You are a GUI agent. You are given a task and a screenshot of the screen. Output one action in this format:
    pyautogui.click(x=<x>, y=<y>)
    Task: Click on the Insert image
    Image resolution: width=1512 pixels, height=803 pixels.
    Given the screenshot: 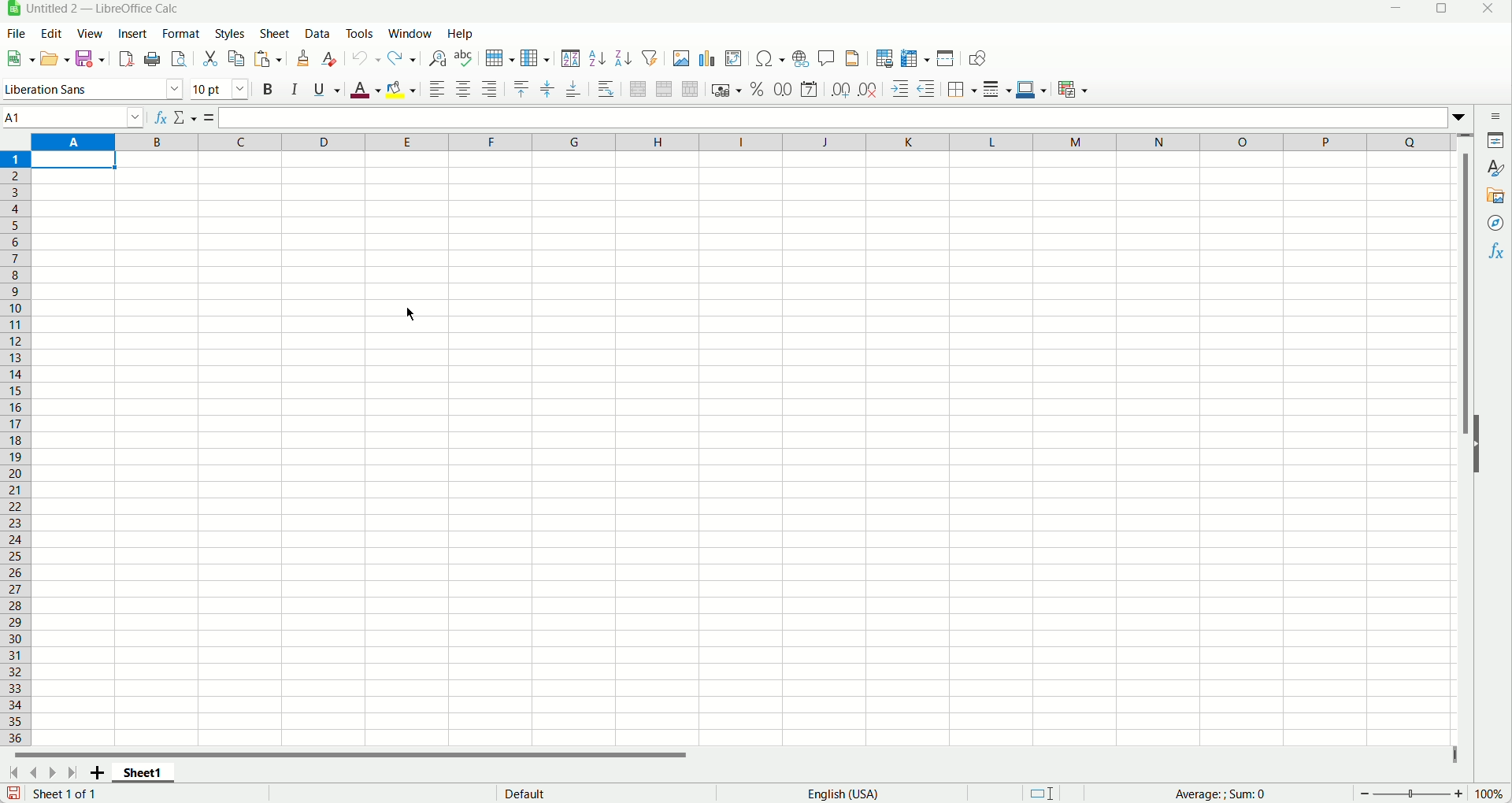 What is the action you would take?
    pyautogui.click(x=680, y=57)
    